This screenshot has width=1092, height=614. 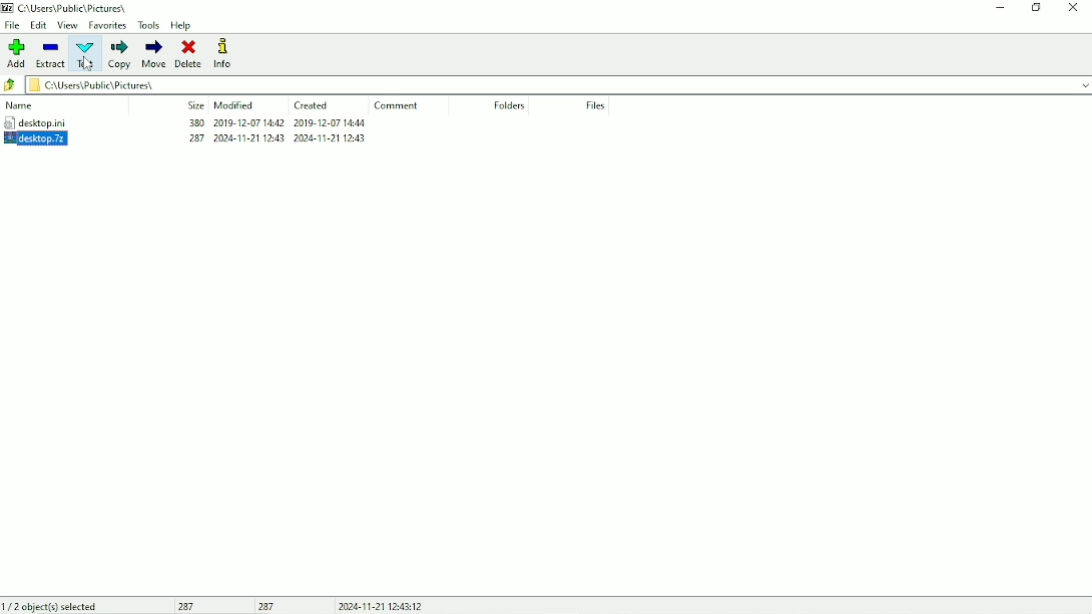 I want to click on Size, so click(x=195, y=105).